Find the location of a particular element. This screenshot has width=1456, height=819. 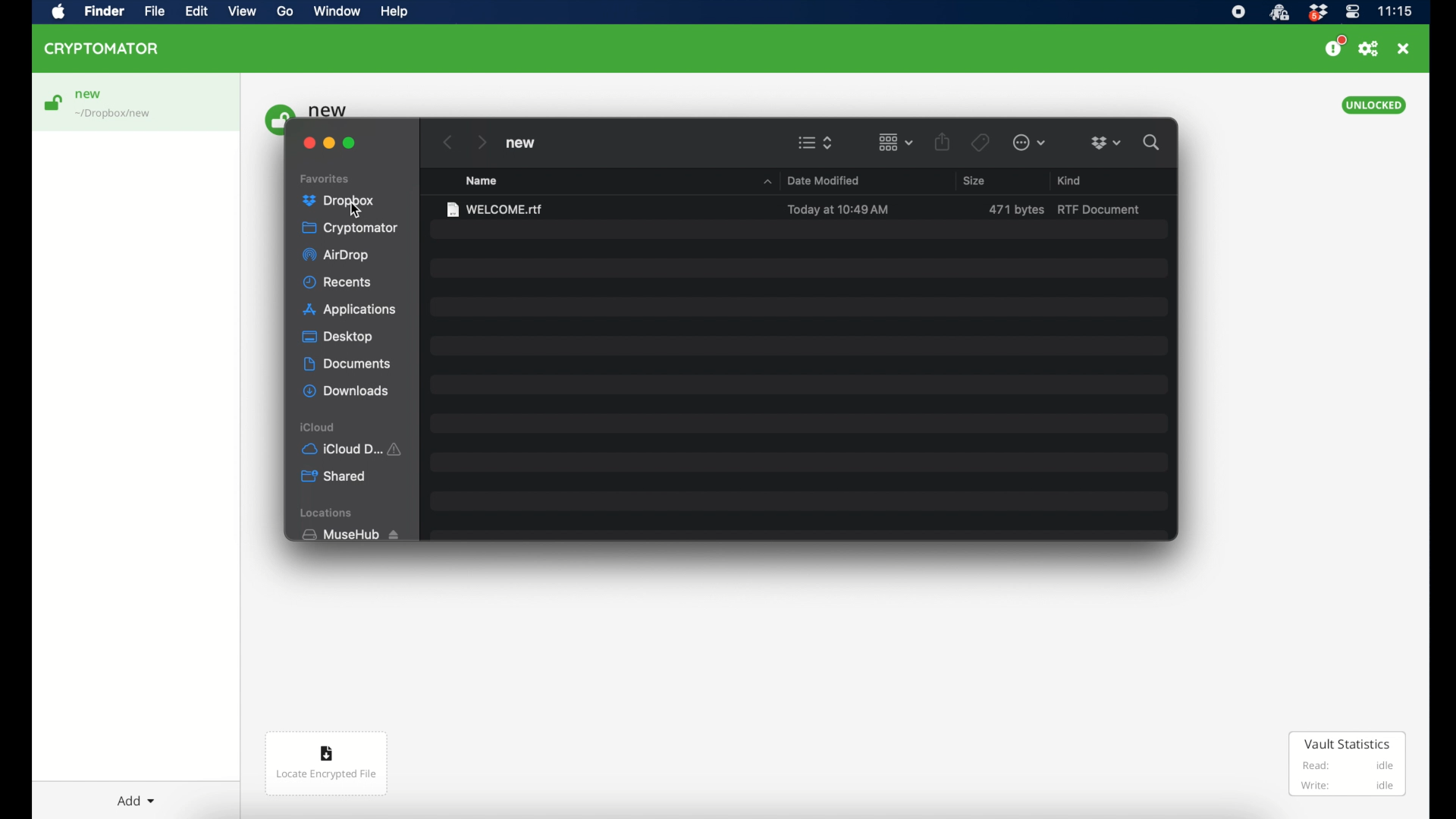

go is located at coordinates (286, 11).